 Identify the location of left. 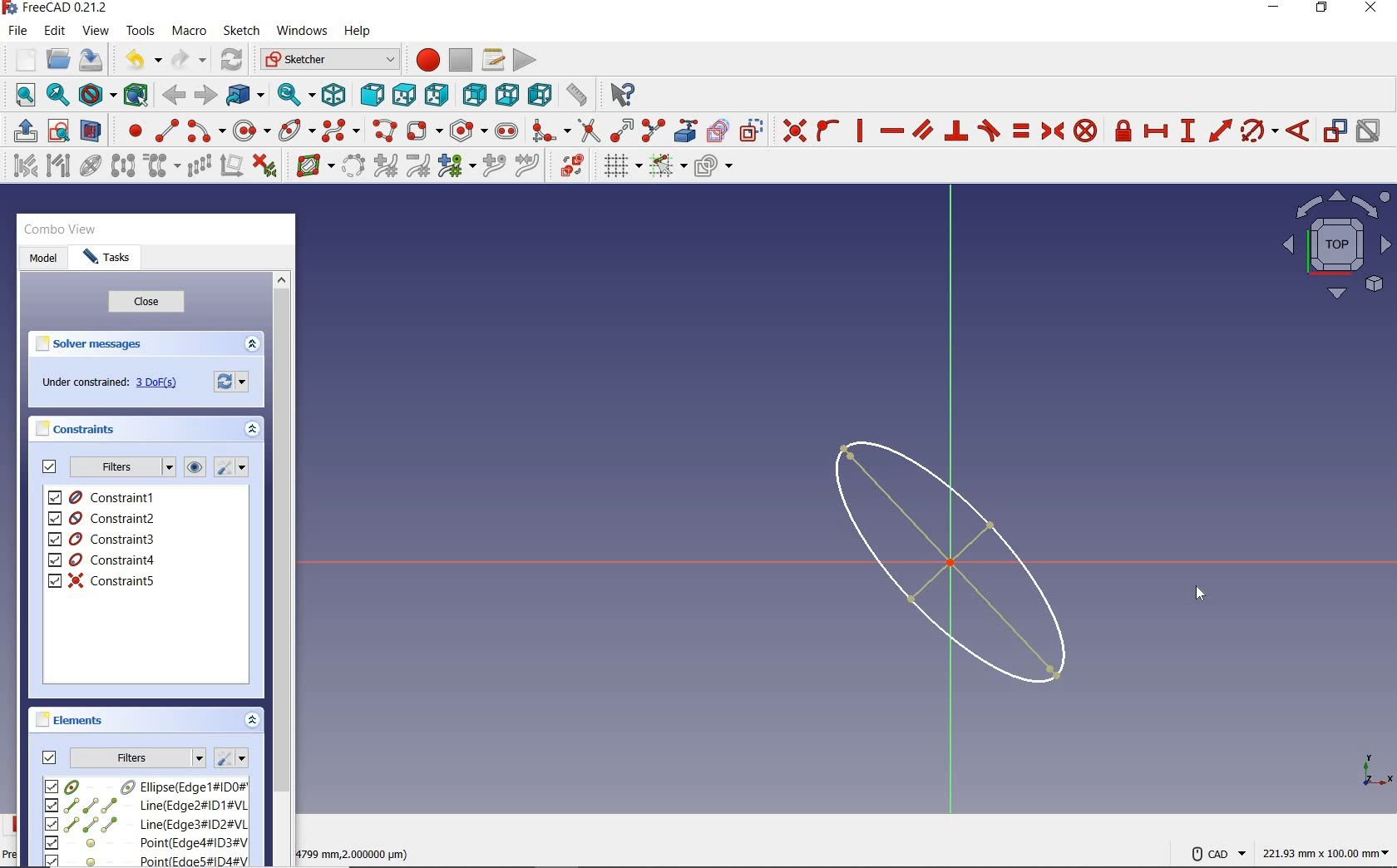
(541, 94).